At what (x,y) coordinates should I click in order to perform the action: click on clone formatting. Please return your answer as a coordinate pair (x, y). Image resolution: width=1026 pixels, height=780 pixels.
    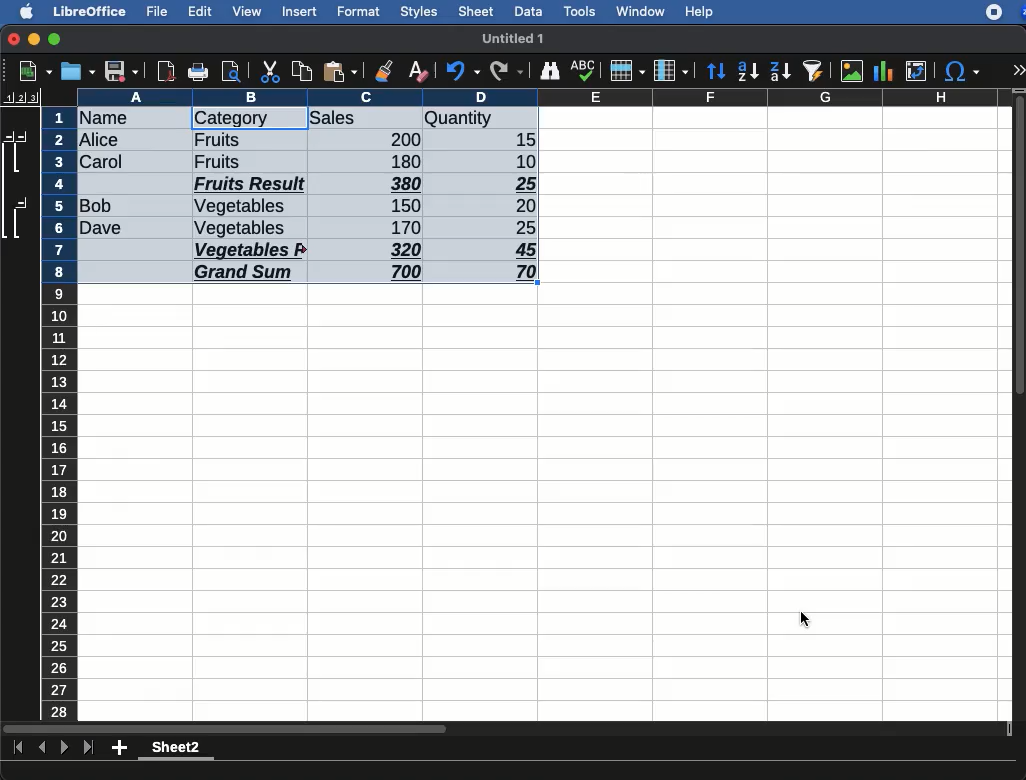
    Looking at the image, I should click on (384, 72).